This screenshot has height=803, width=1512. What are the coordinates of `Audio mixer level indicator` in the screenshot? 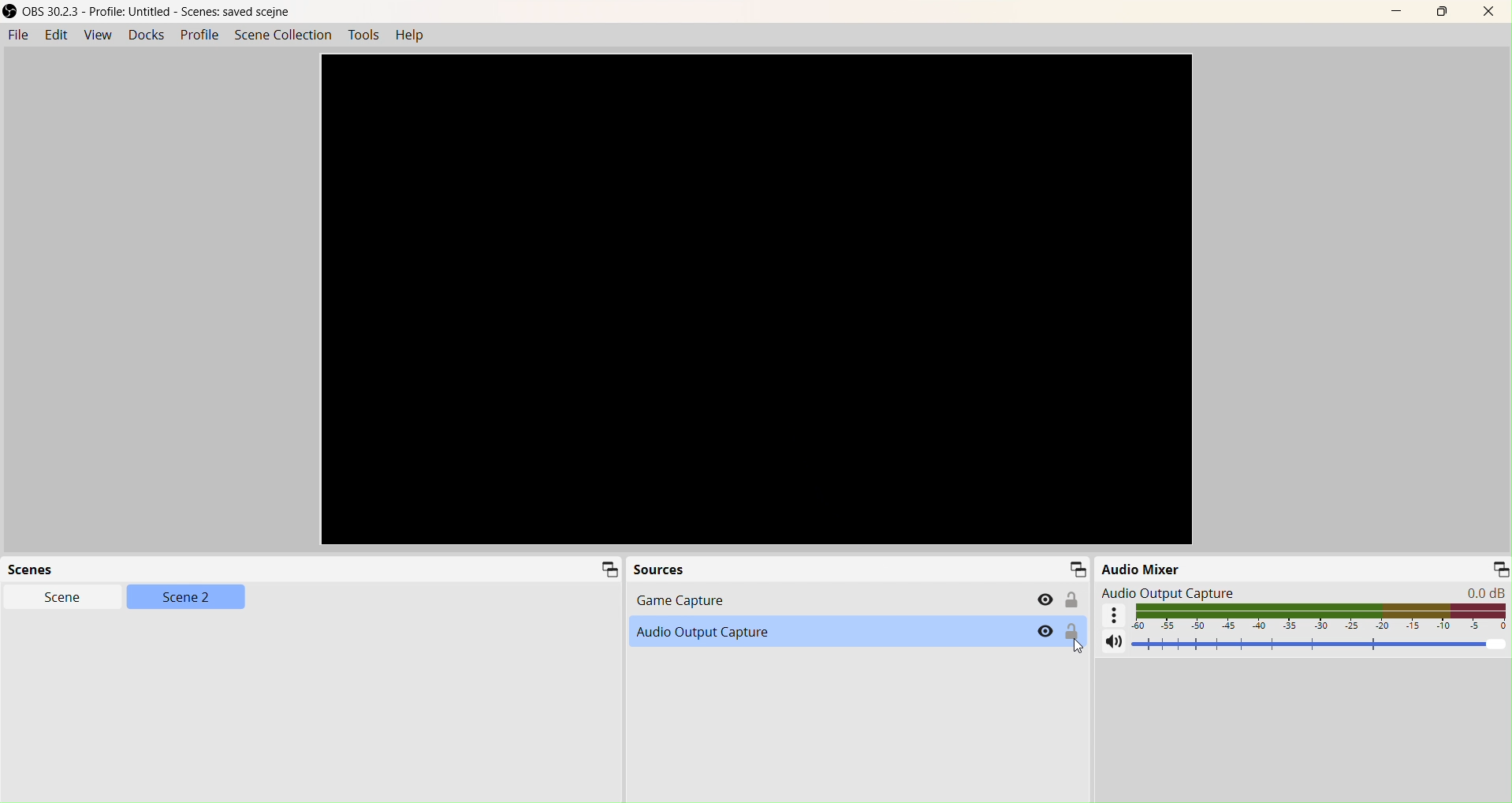 It's located at (1305, 618).